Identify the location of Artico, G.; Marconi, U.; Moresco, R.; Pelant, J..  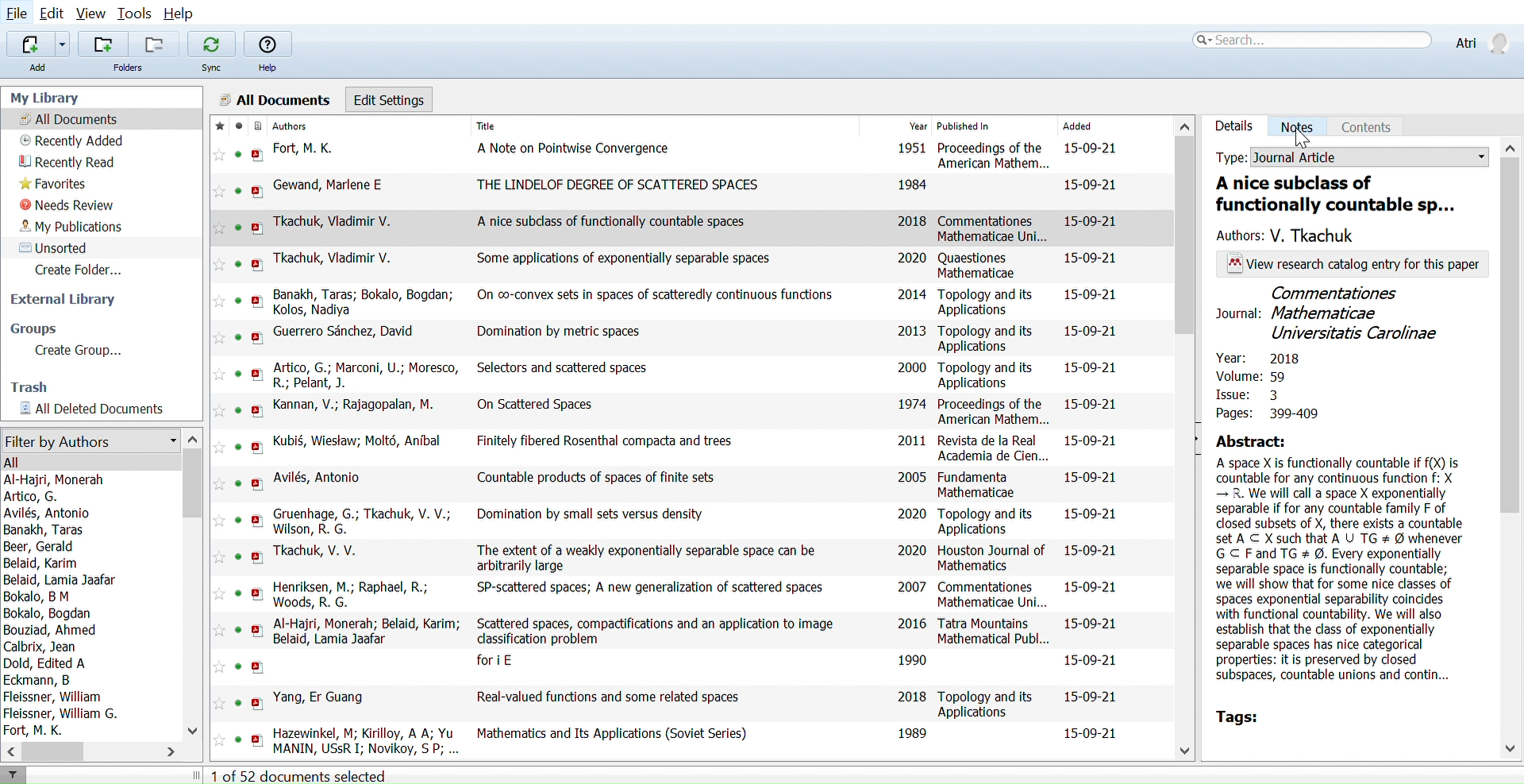
(366, 374).